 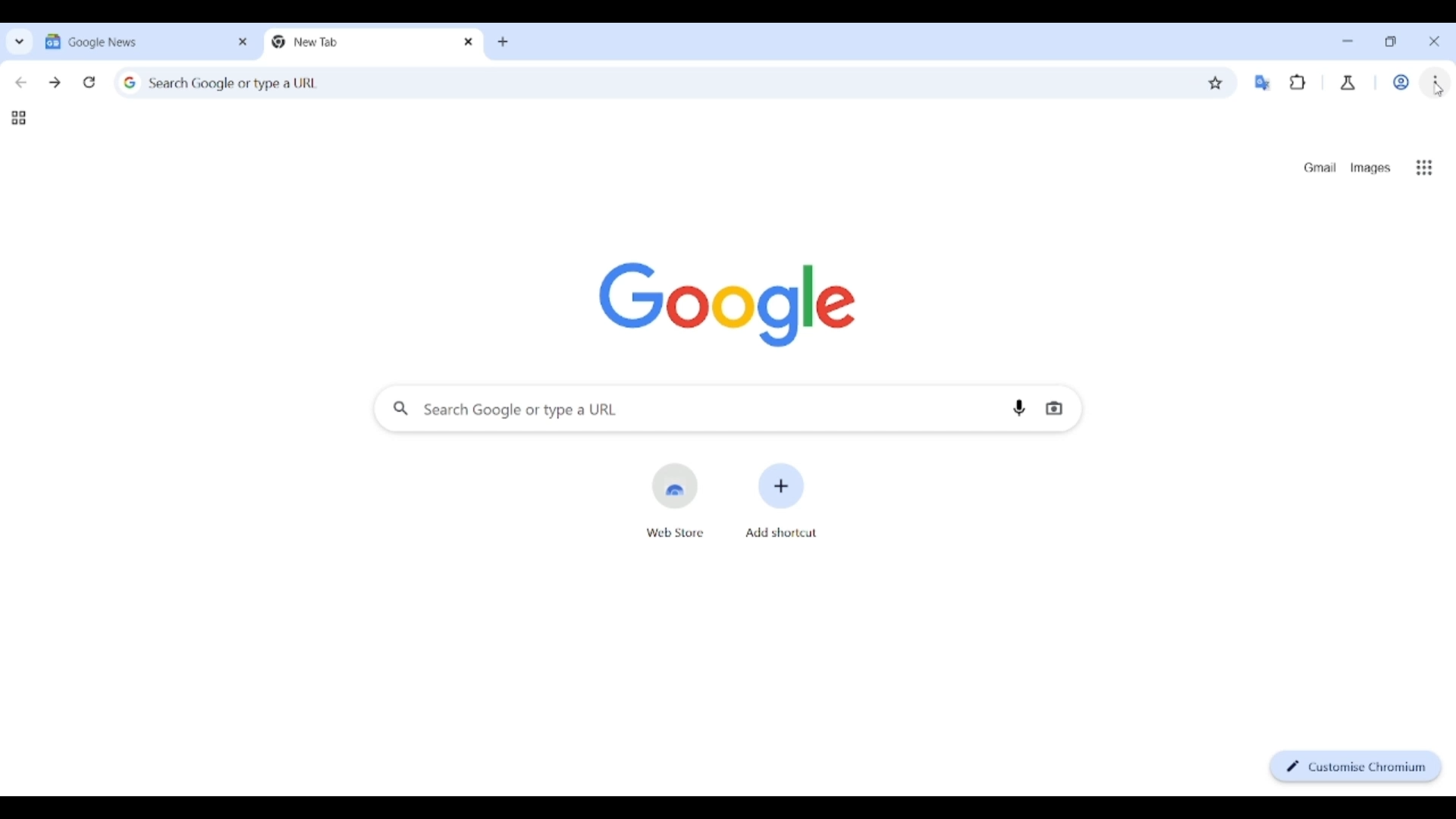 I want to click on Bookmark this tab, so click(x=1216, y=83).